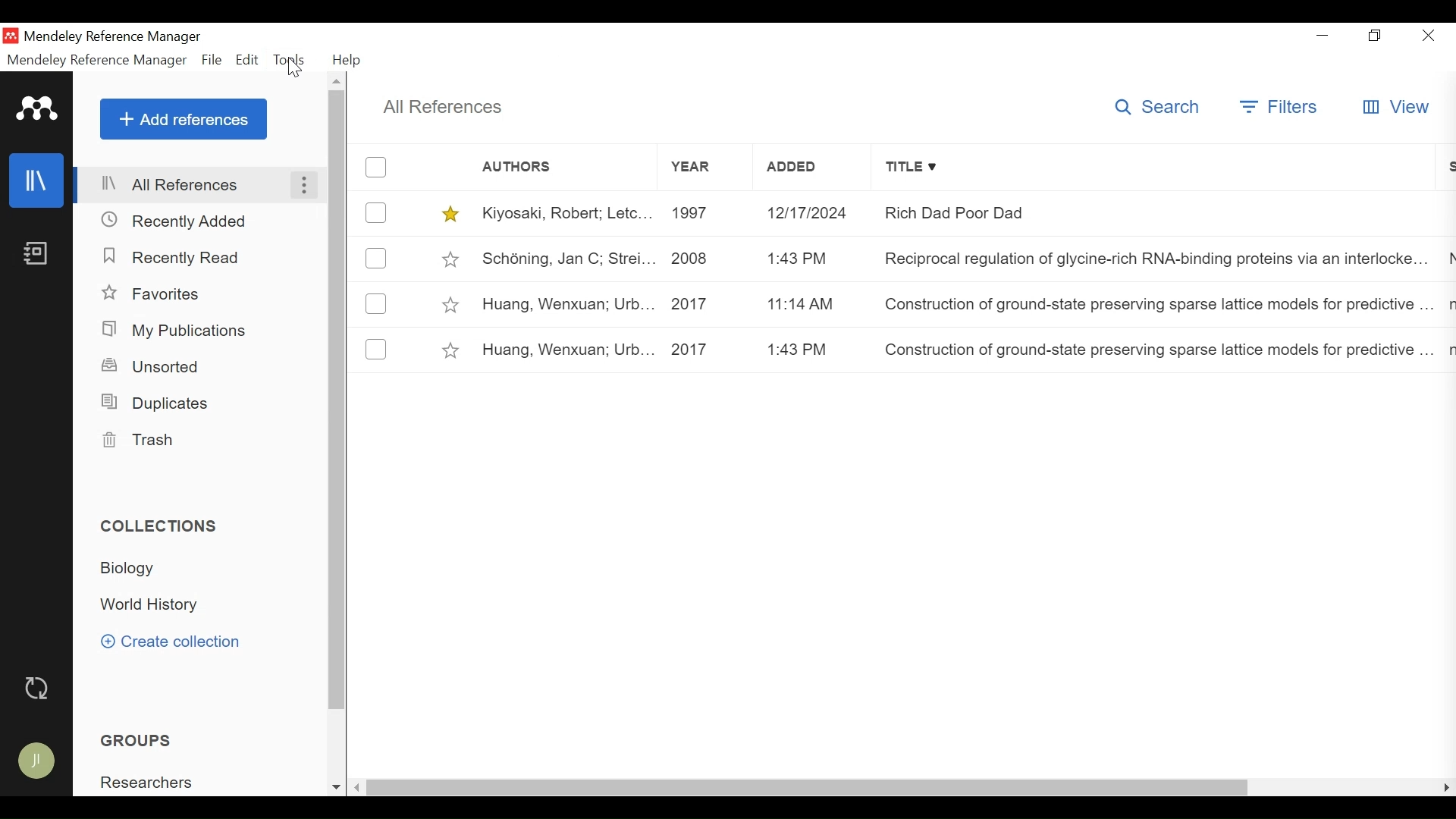 Image resolution: width=1456 pixels, height=819 pixels. I want to click on Notebook, so click(36, 253).